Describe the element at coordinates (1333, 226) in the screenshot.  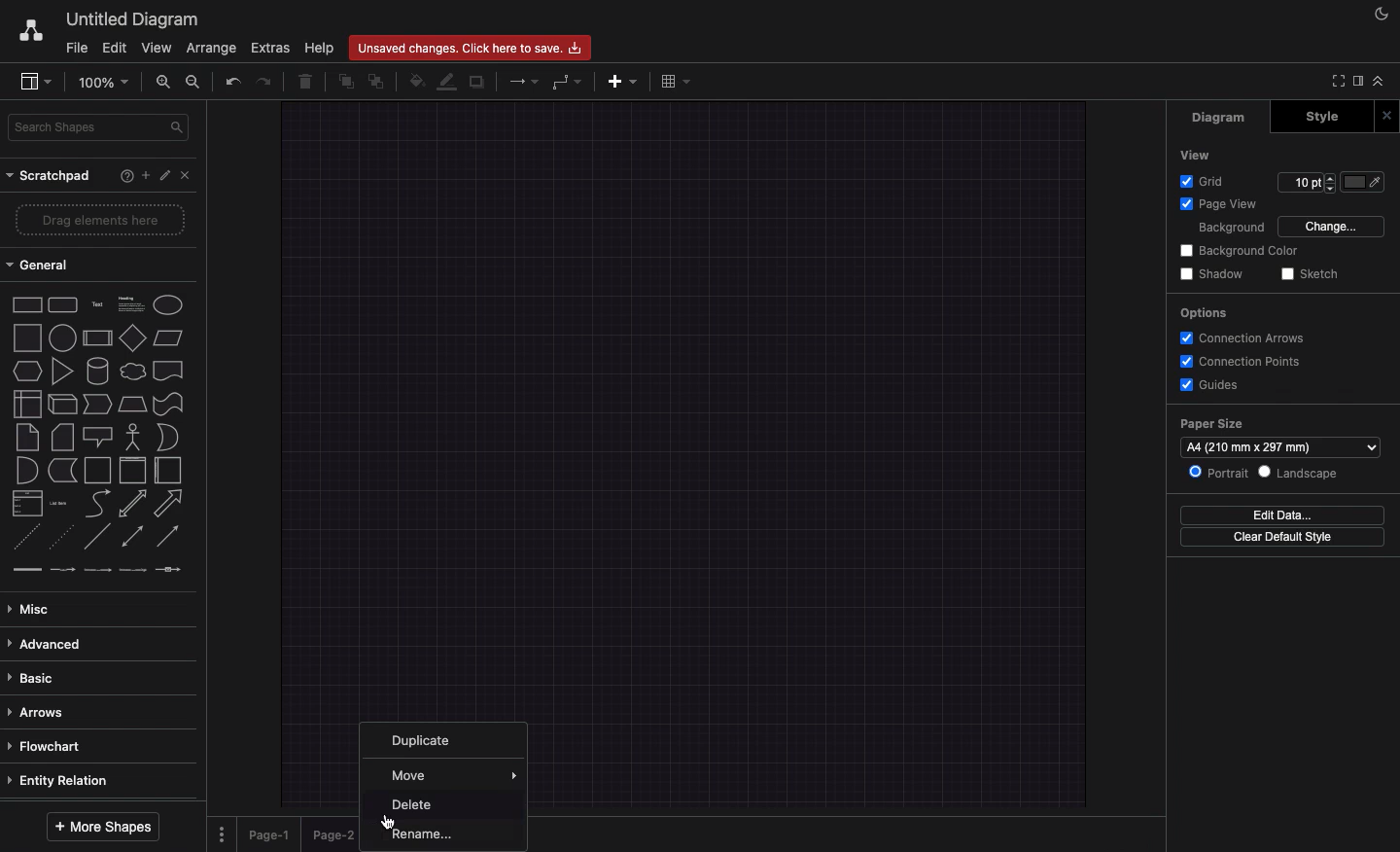
I see `Change` at that location.